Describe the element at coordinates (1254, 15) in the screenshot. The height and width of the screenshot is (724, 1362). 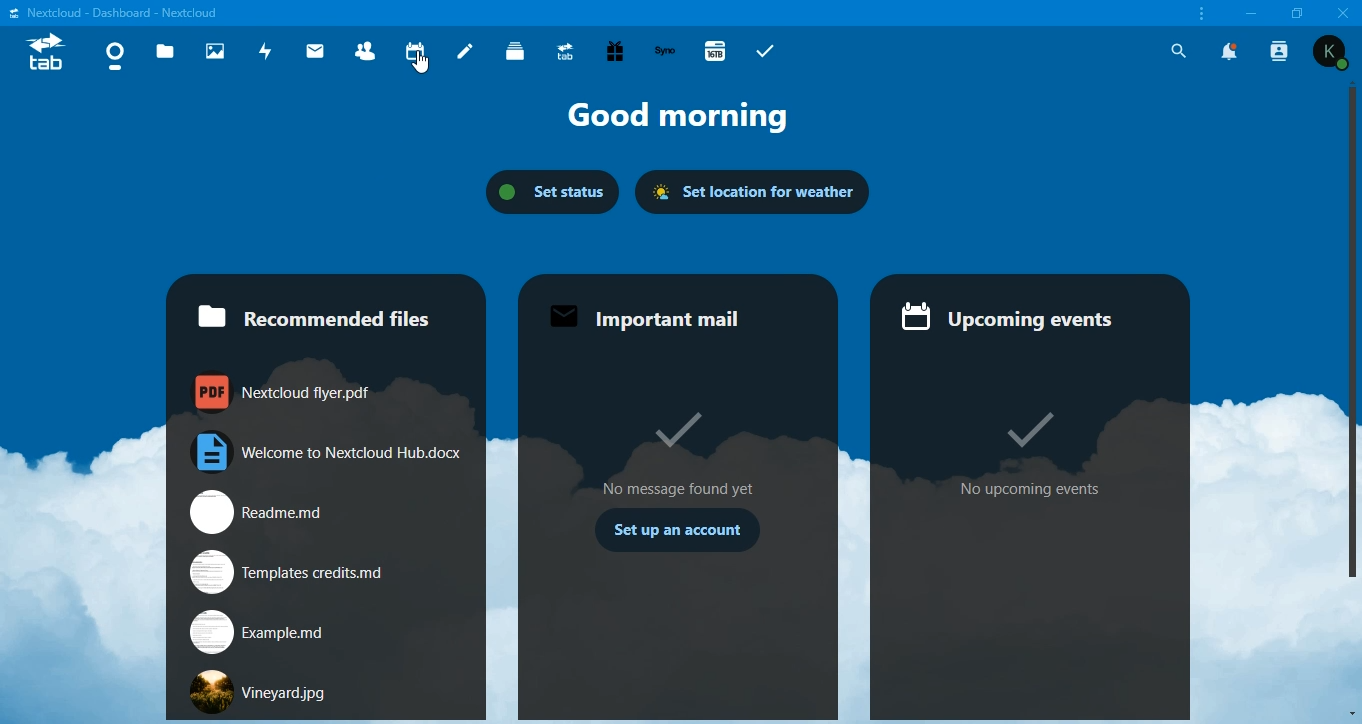
I see `minimize` at that location.